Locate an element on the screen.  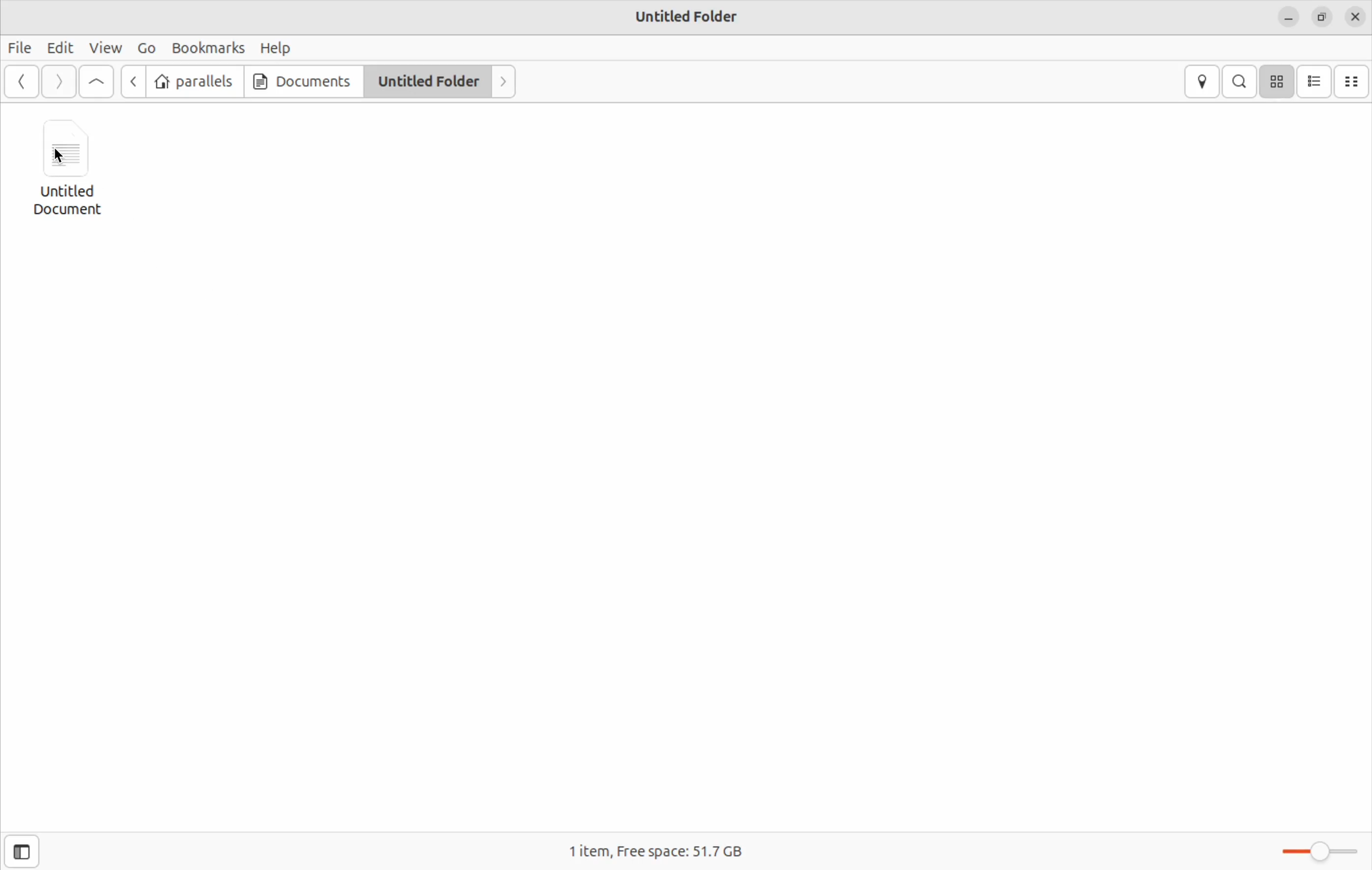
View is located at coordinates (104, 48).